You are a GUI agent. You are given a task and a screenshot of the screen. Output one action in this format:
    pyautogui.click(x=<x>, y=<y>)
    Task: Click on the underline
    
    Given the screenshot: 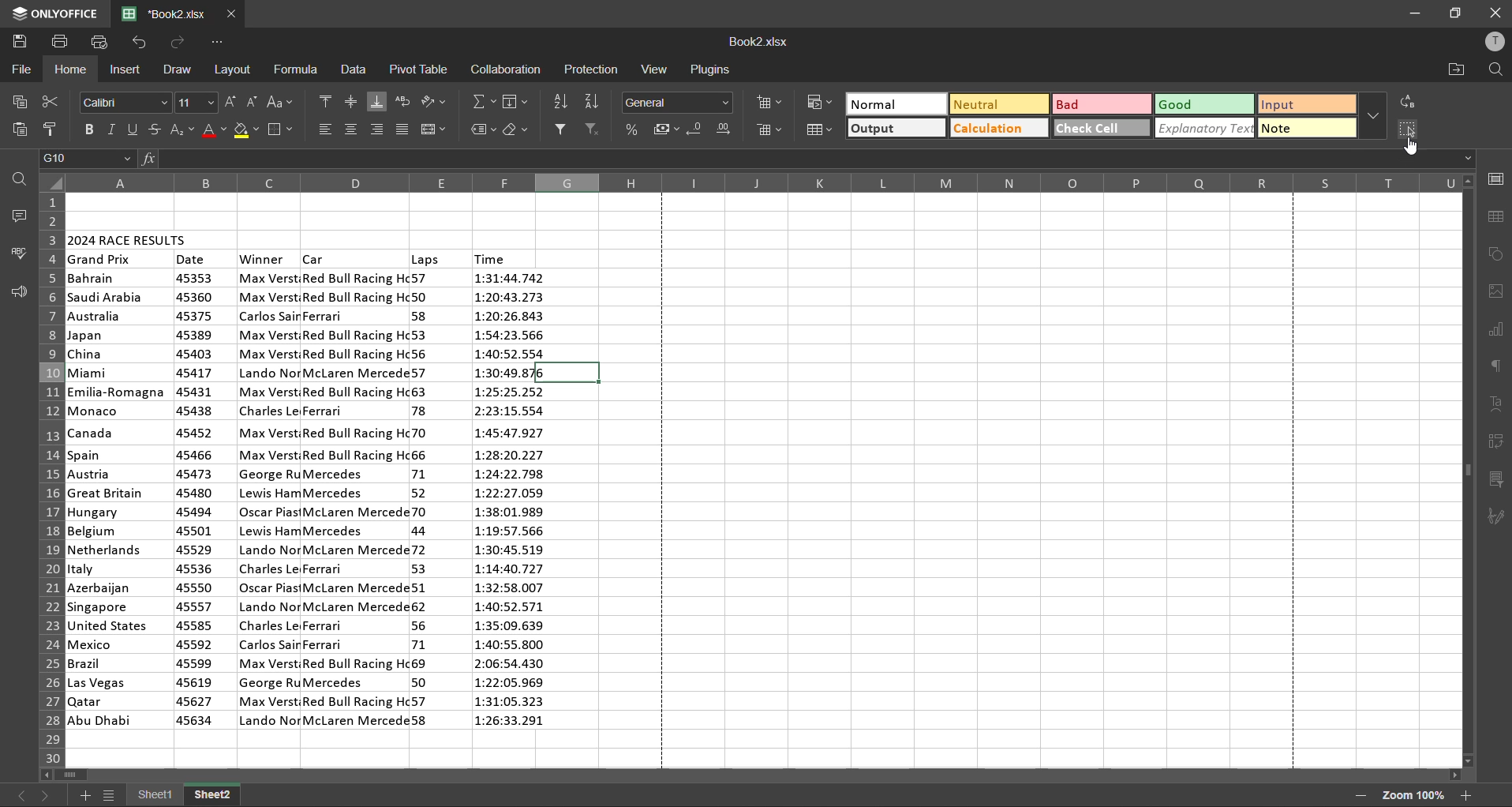 What is the action you would take?
    pyautogui.click(x=133, y=131)
    